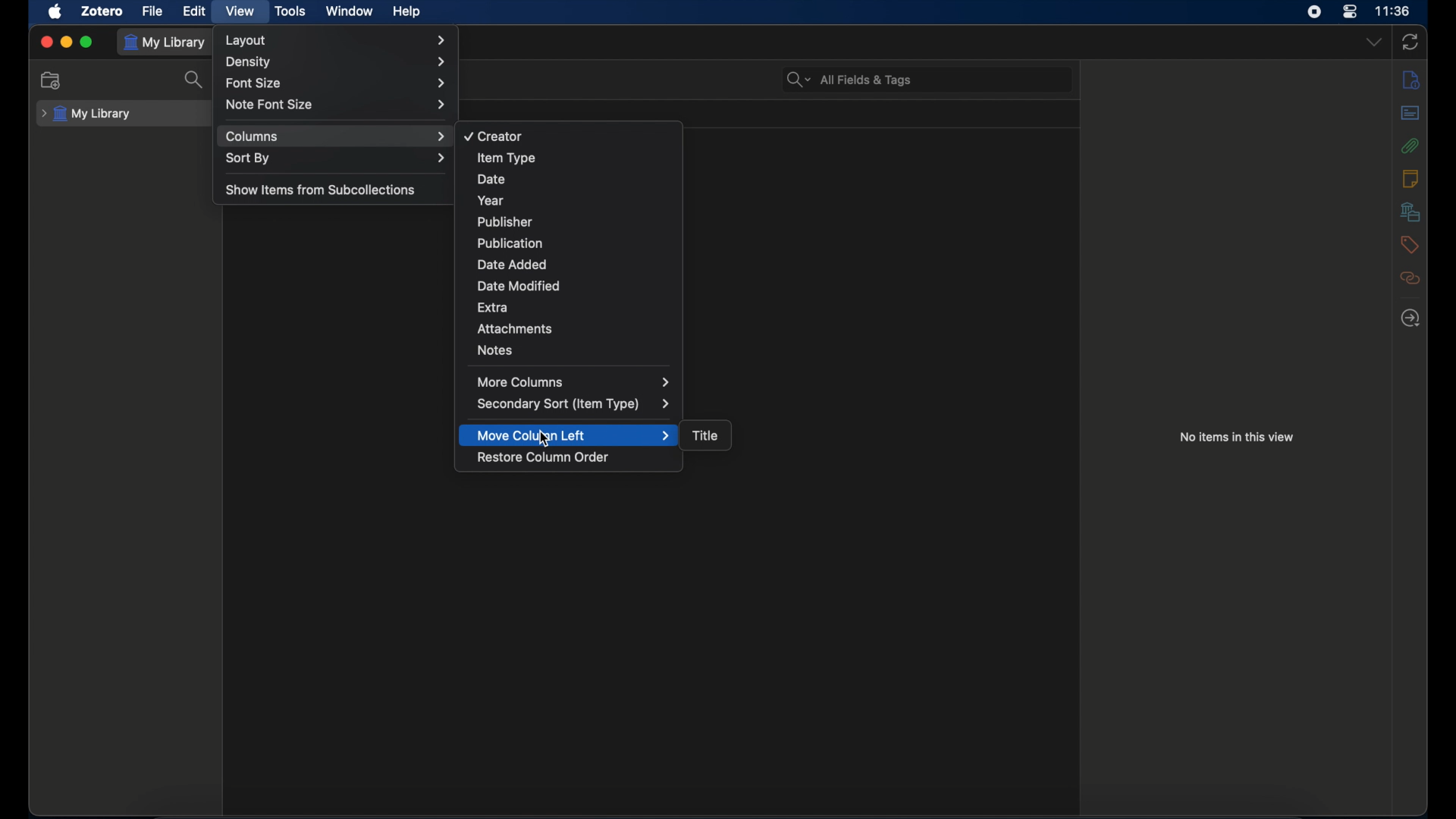 The image size is (1456, 819). Describe the element at coordinates (194, 81) in the screenshot. I see `search` at that location.